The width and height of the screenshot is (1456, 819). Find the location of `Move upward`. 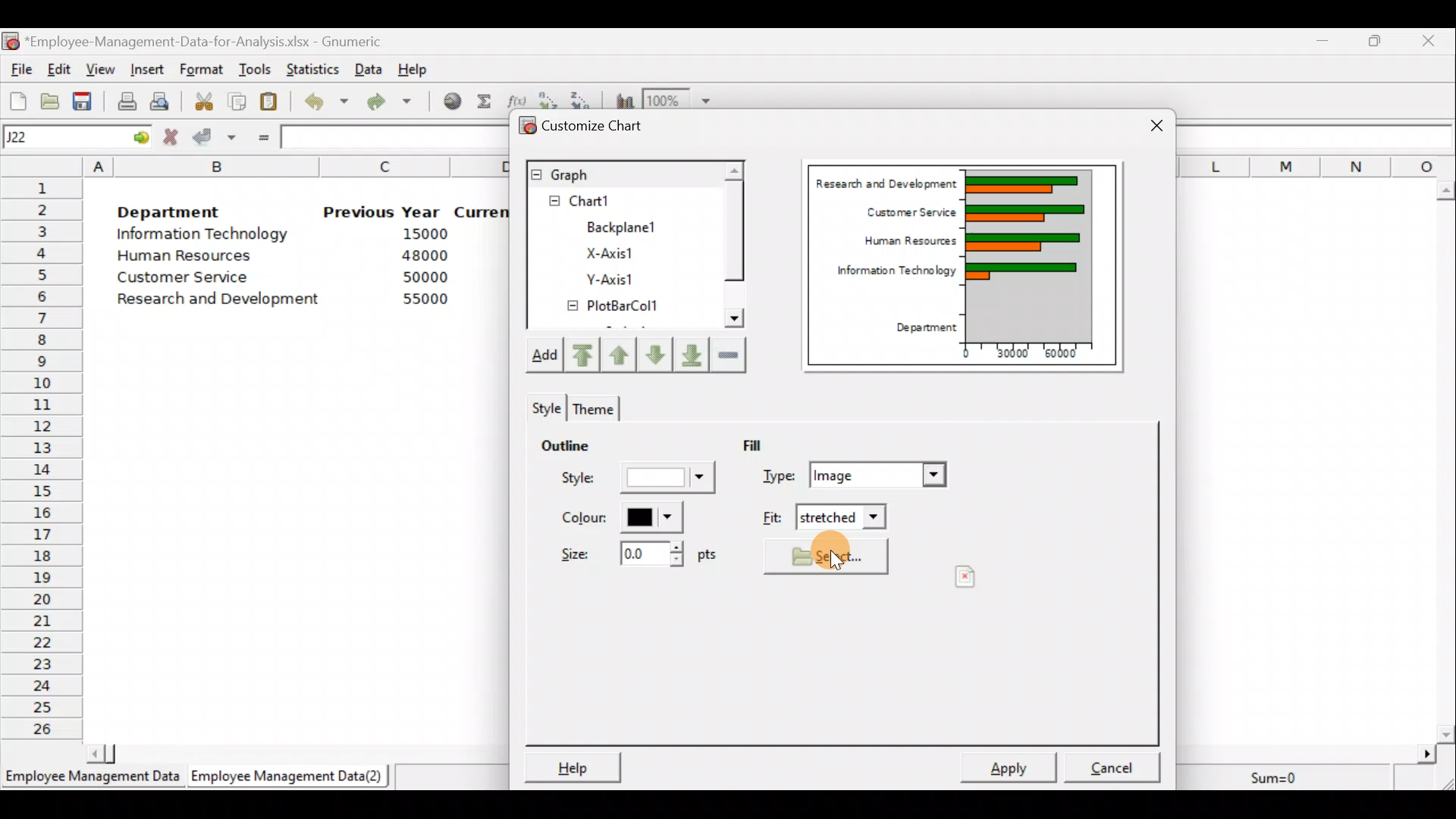

Move upward is located at coordinates (587, 354).